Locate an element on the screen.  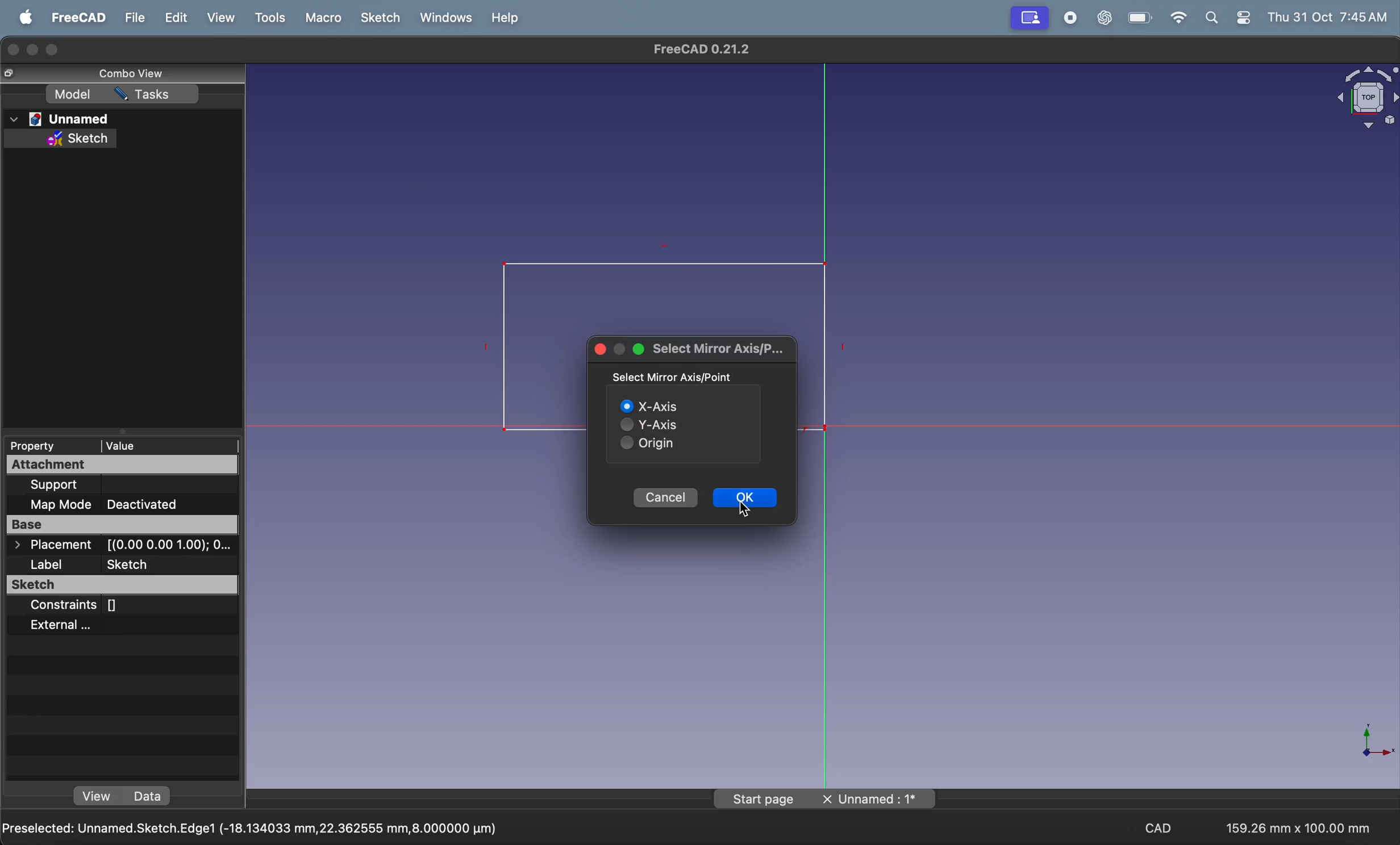
chatgpt is located at coordinates (1105, 19).